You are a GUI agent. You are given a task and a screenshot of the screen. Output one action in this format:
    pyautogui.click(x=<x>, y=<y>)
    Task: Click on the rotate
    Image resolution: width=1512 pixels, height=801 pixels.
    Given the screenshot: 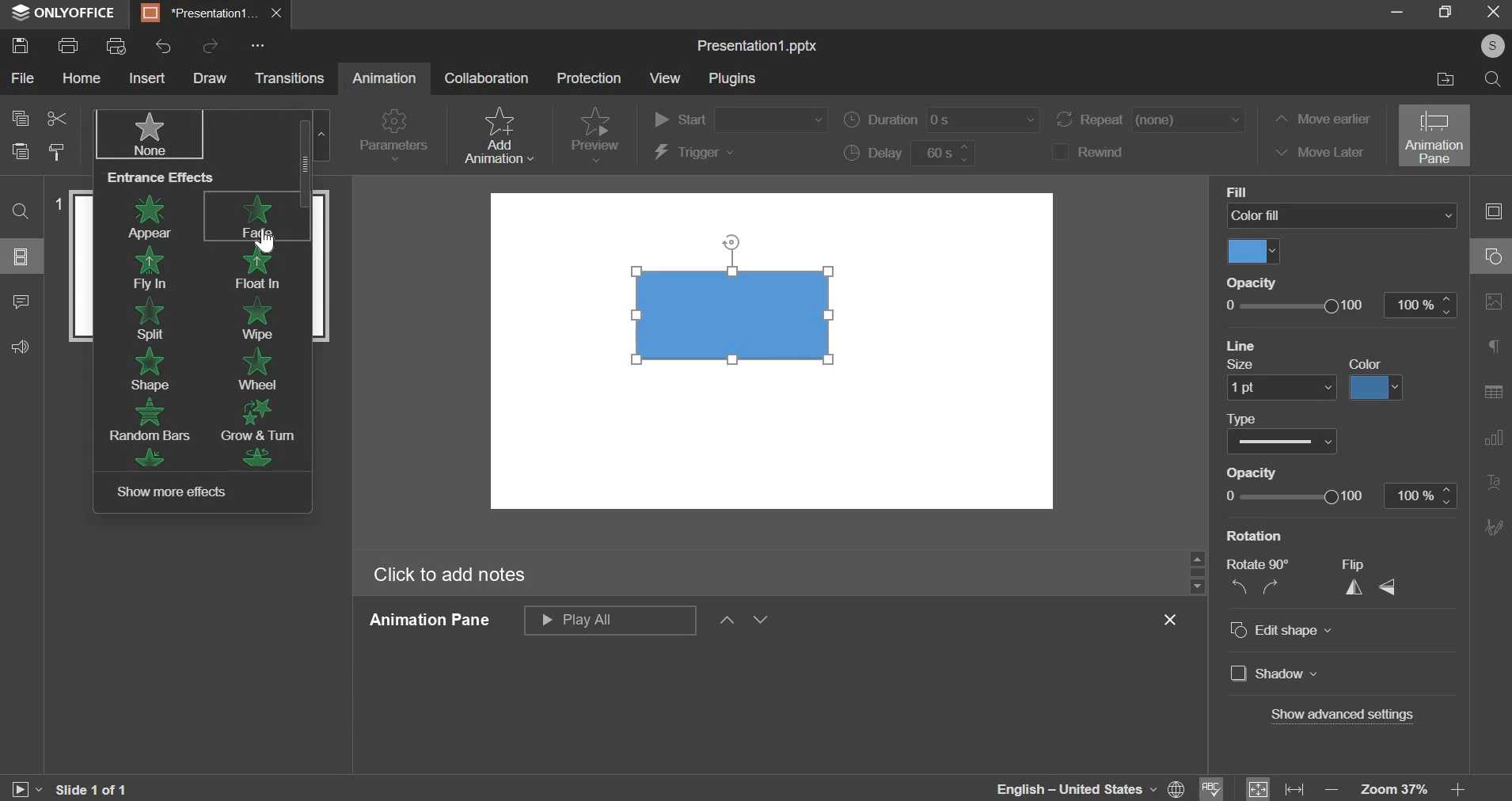 What is the action you would take?
    pyautogui.click(x=1256, y=575)
    